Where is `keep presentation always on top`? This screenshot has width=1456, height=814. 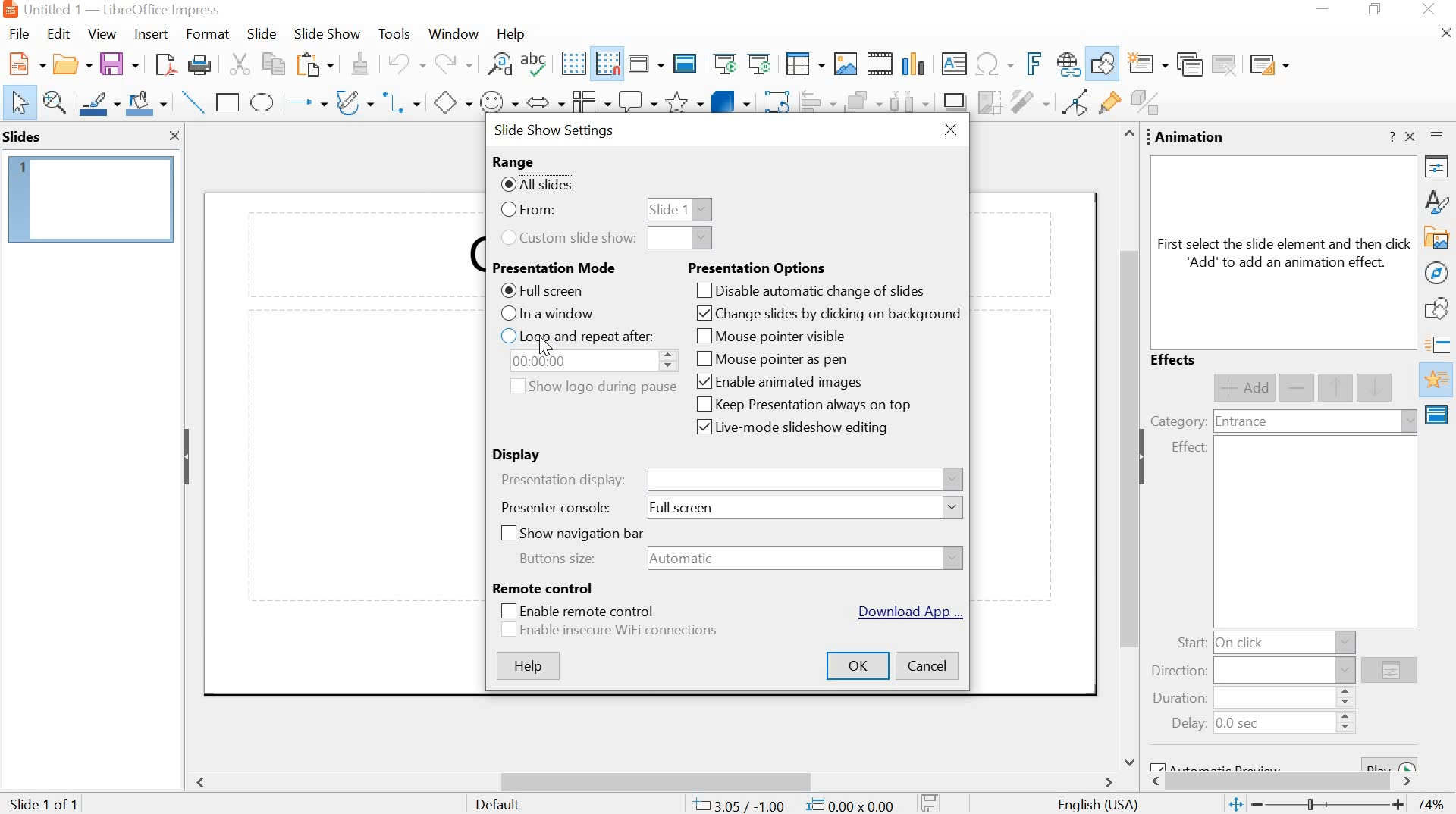 keep presentation always on top is located at coordinates (802, 404).